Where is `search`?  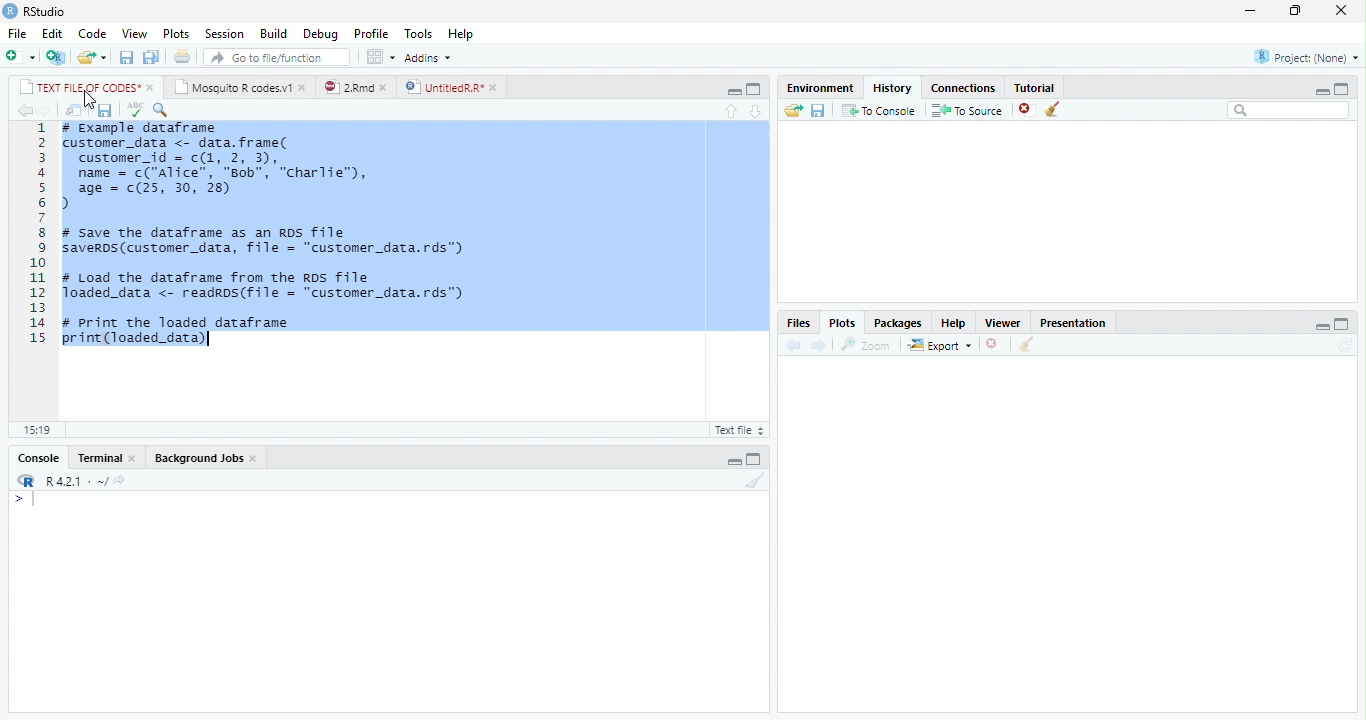
search is located at coordinates (1289, 110).